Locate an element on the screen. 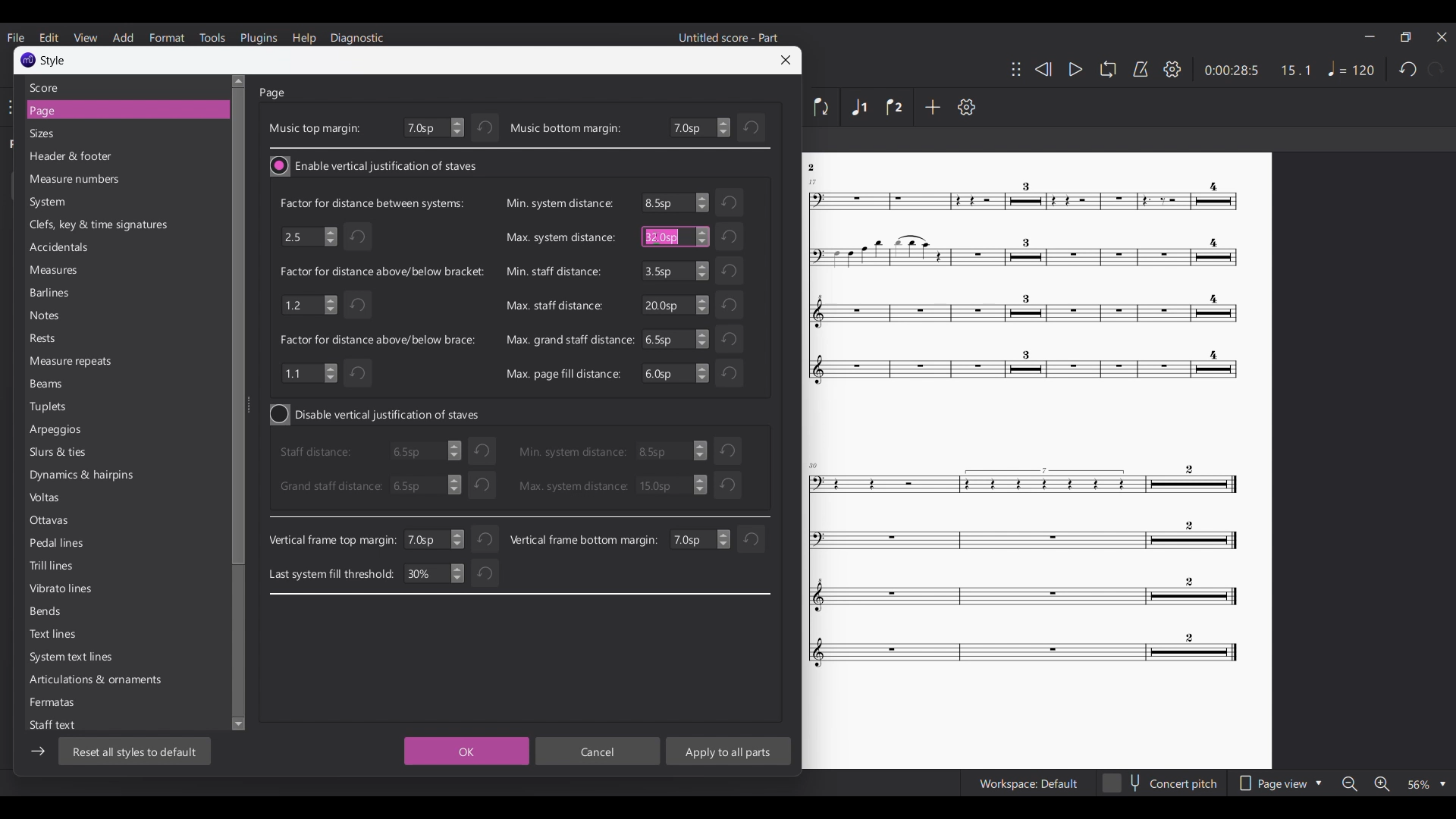 Image resolution: width=1456 pixels, height=819 pixels. Header & footer is located at coordinates (114, 158).